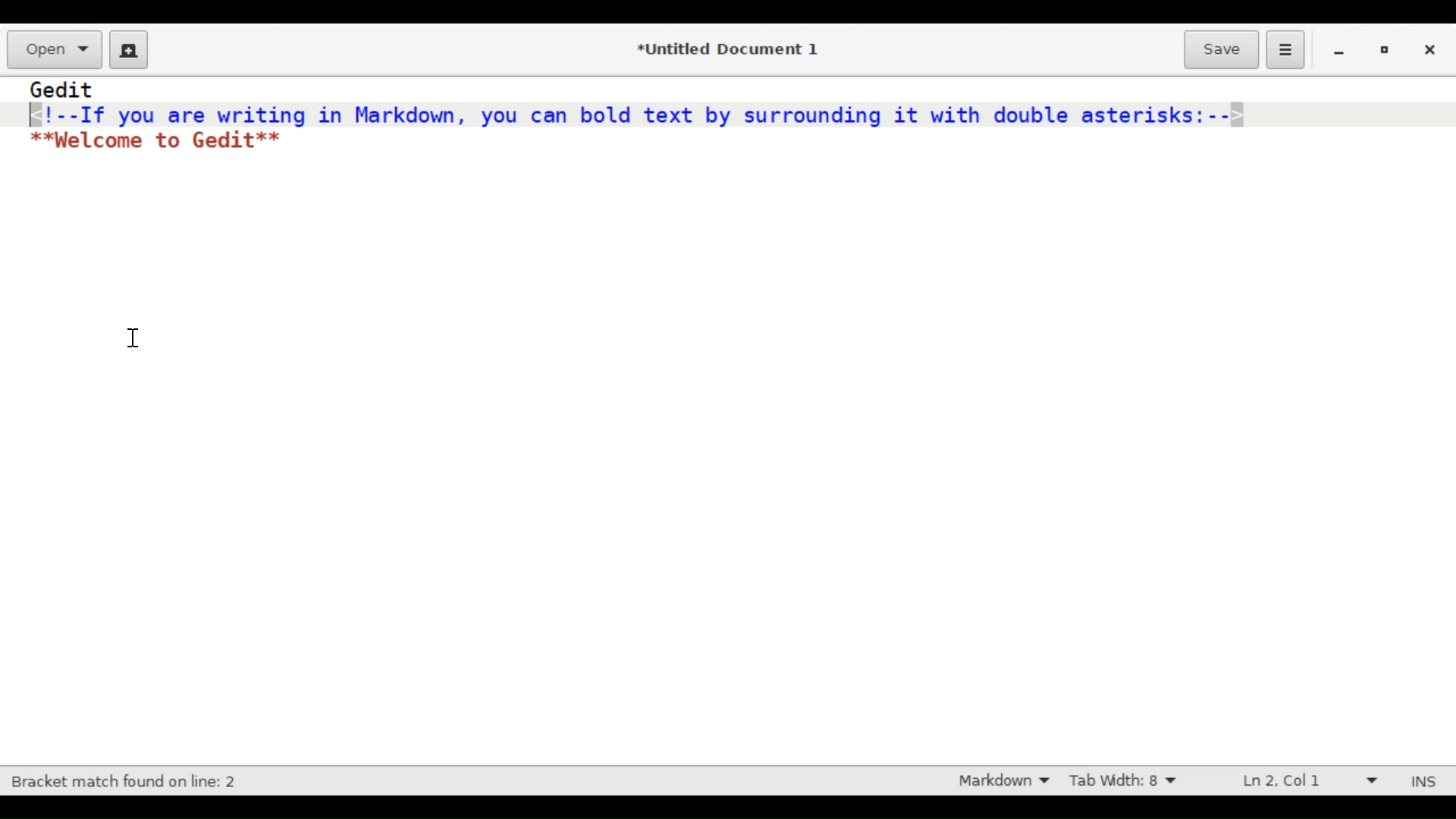 Image resolution: width=1456 pixels, height=819 pixels. What do you see at coordinates (1339, 52) in the screenshot?
I see `minimize` at bounding box center [1339, 52].